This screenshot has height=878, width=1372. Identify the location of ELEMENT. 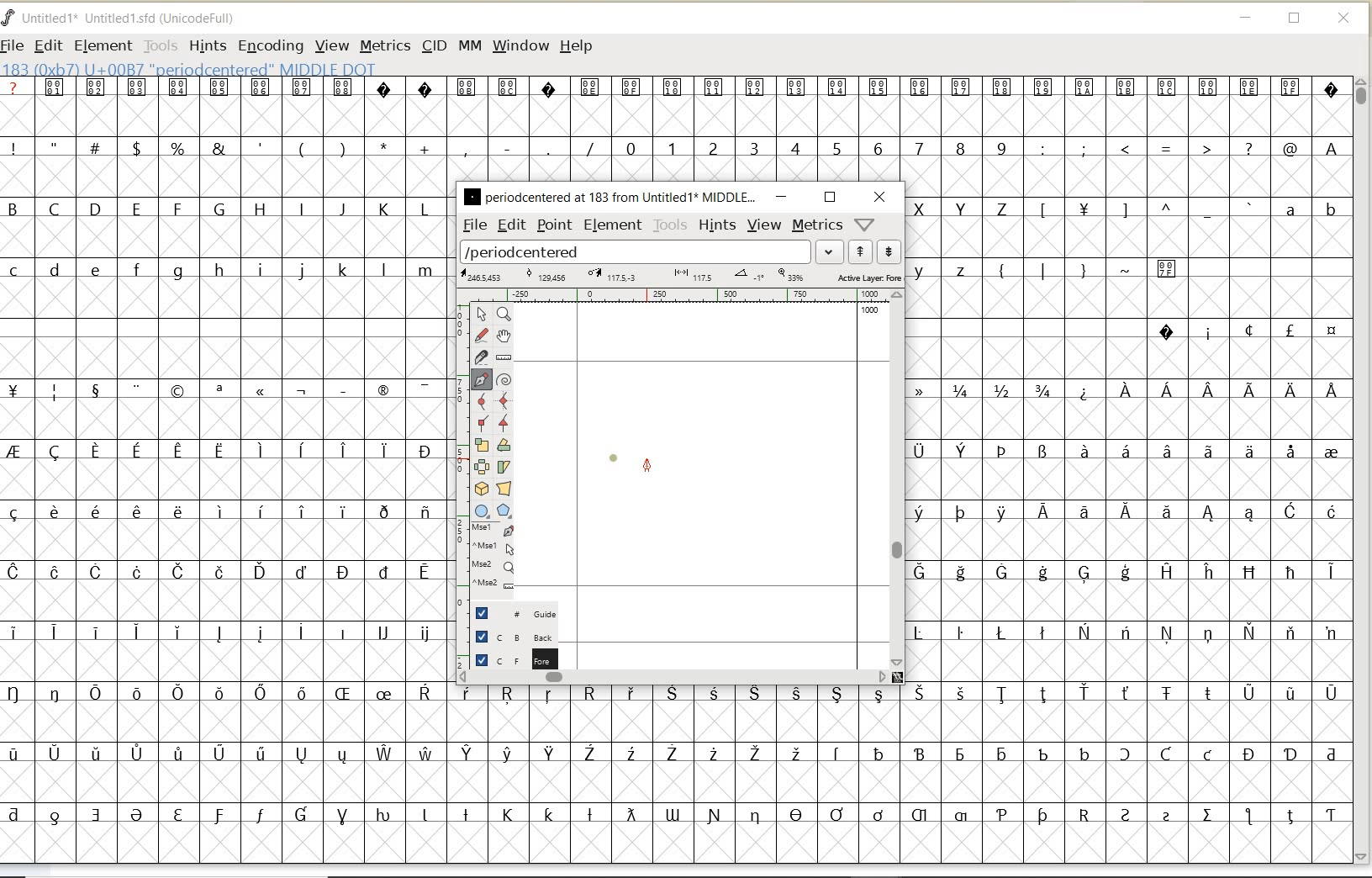
(103, 45).